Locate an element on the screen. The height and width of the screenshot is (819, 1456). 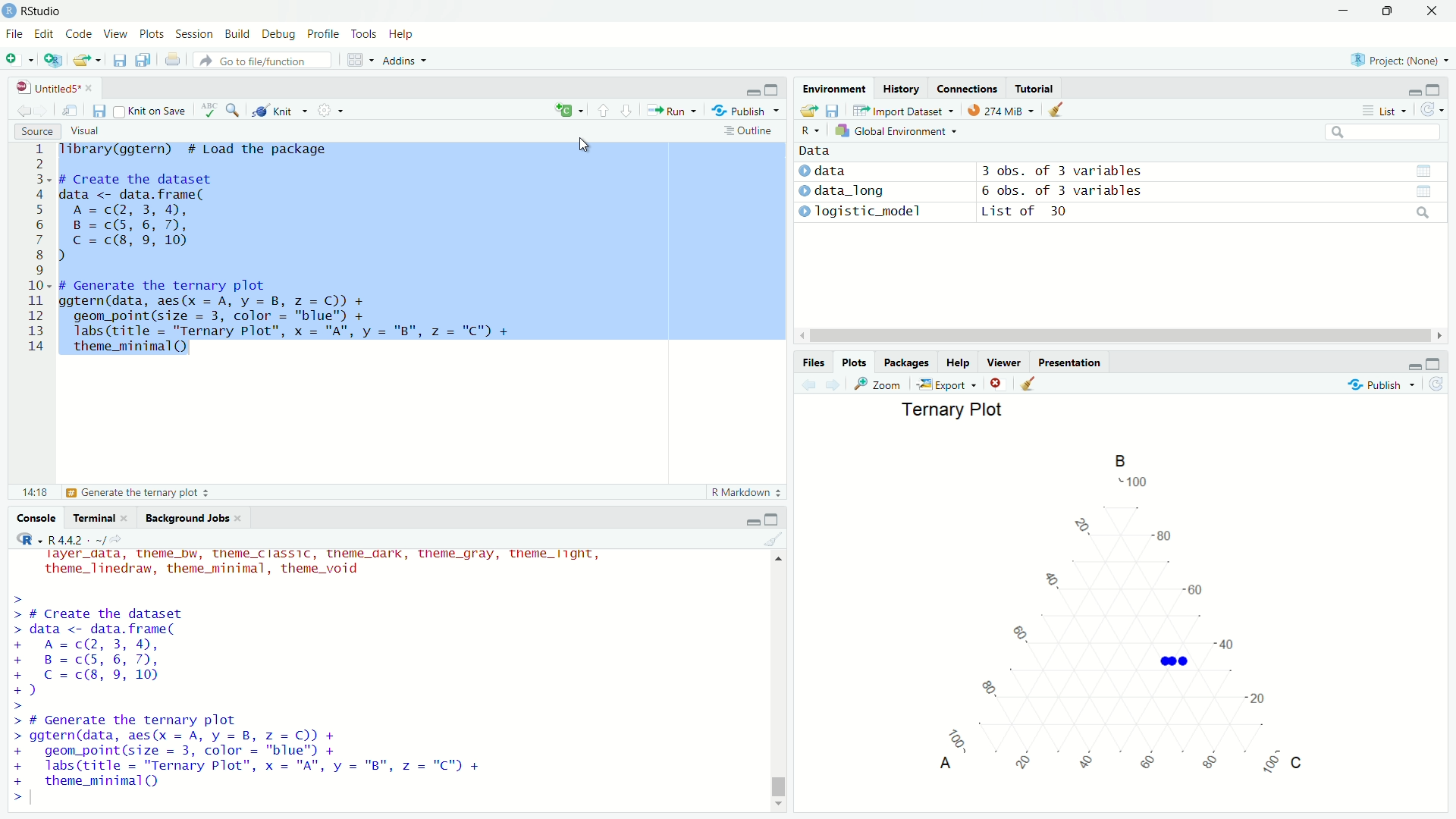
View is located at coordinates (111, 35).